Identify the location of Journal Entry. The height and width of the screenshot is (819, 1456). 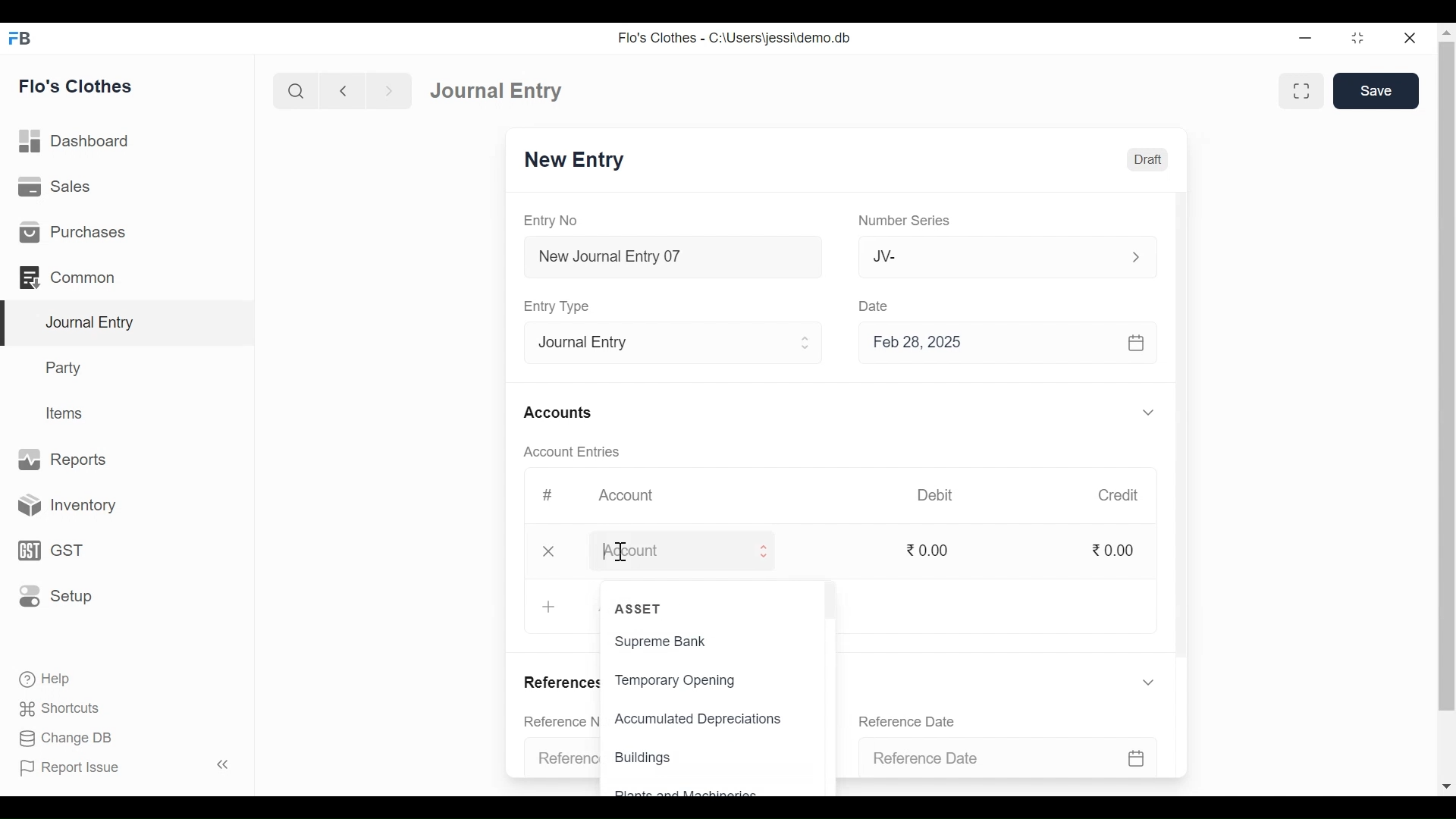
(502, 90).